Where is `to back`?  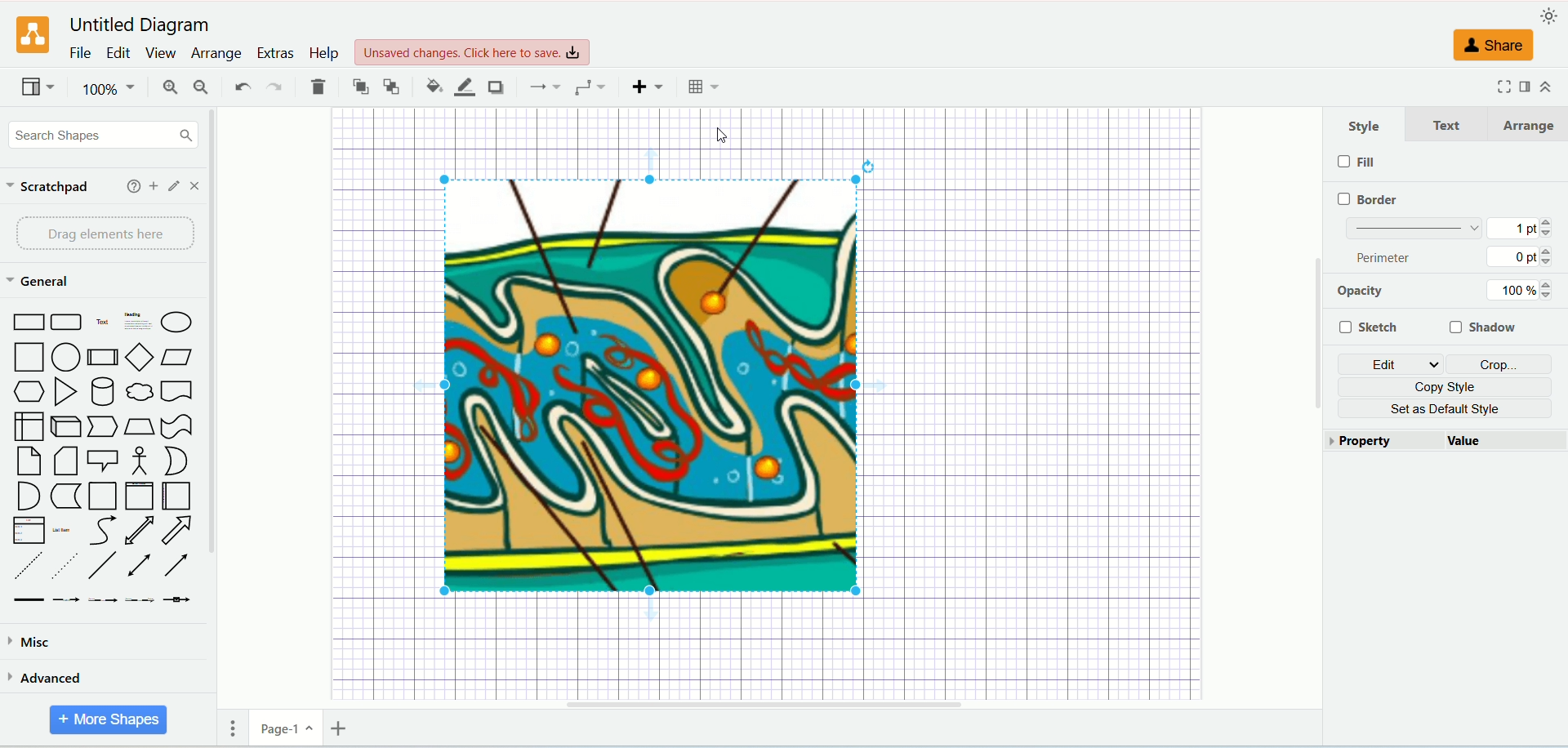 to back is located at coordinates (391, 87).